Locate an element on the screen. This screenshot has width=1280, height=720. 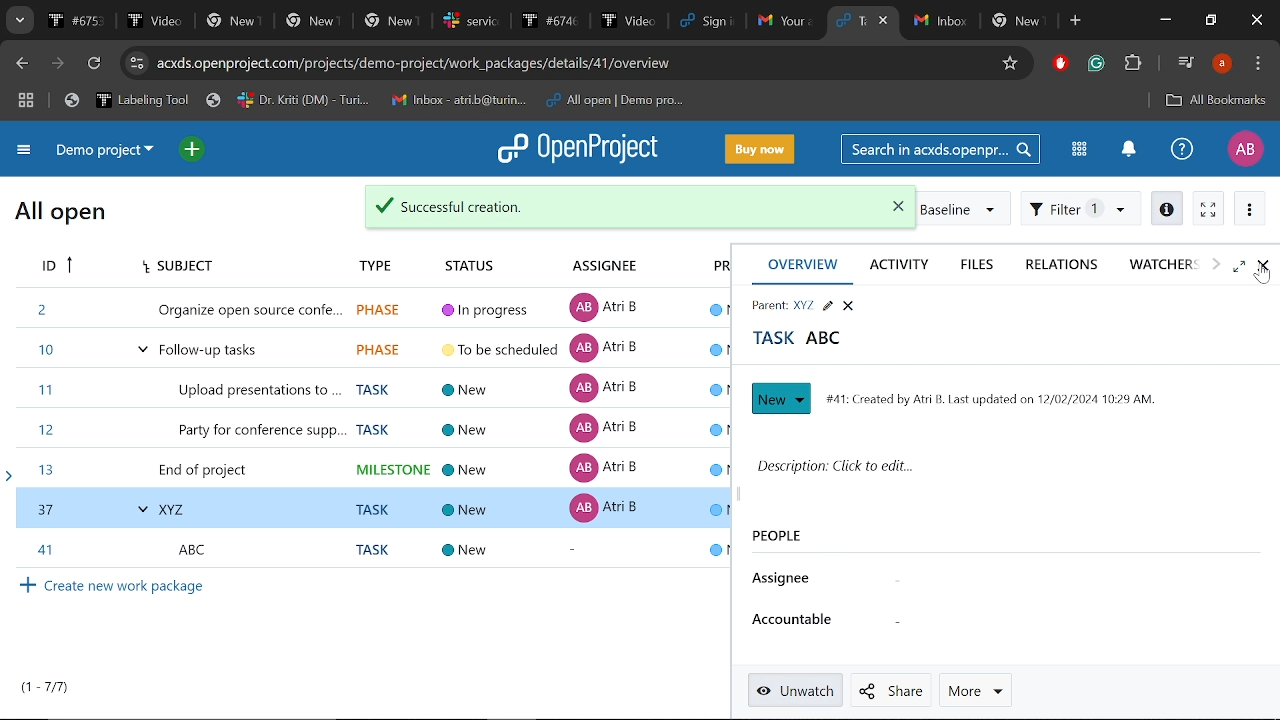
Filter is located at coordinates (1081, 207).